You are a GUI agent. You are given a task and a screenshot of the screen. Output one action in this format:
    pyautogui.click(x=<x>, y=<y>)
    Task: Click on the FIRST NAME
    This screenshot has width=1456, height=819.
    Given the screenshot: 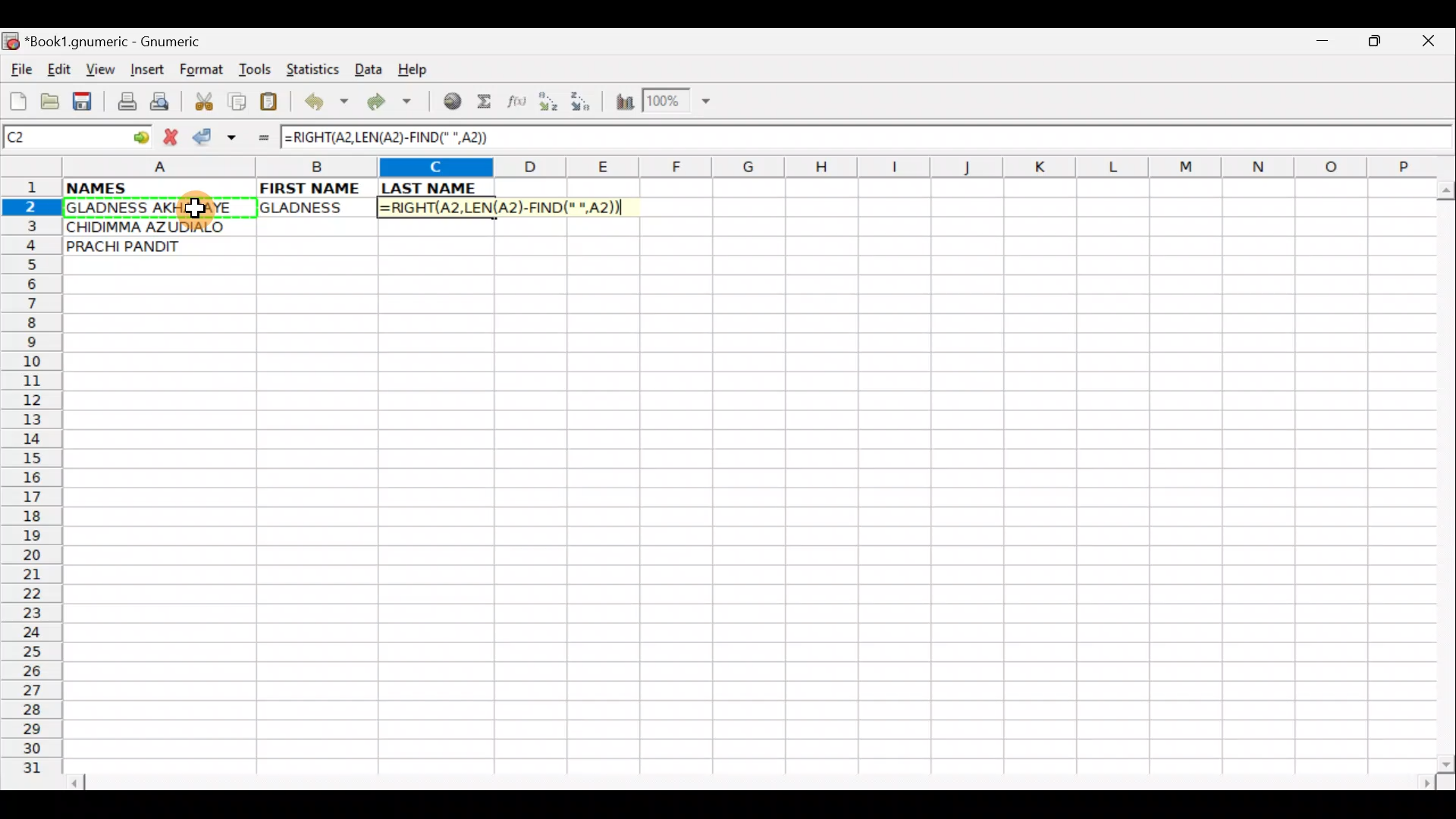 What is the action you would take?
    pyautogui.click(x=312, y=187)
    